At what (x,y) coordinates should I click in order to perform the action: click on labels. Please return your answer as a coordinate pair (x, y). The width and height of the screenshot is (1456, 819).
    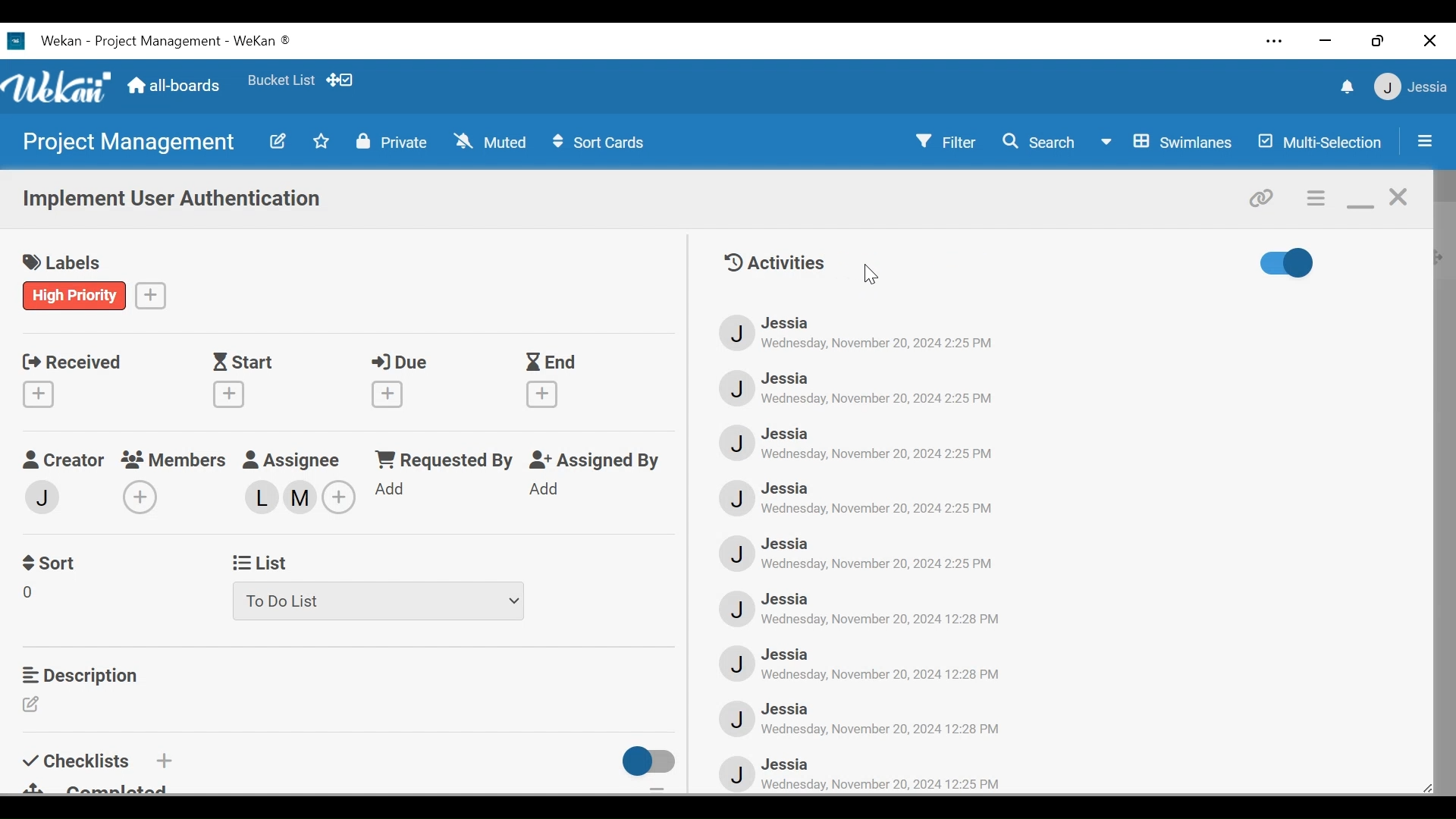
    Looking at the image, I should click on (64, 262).